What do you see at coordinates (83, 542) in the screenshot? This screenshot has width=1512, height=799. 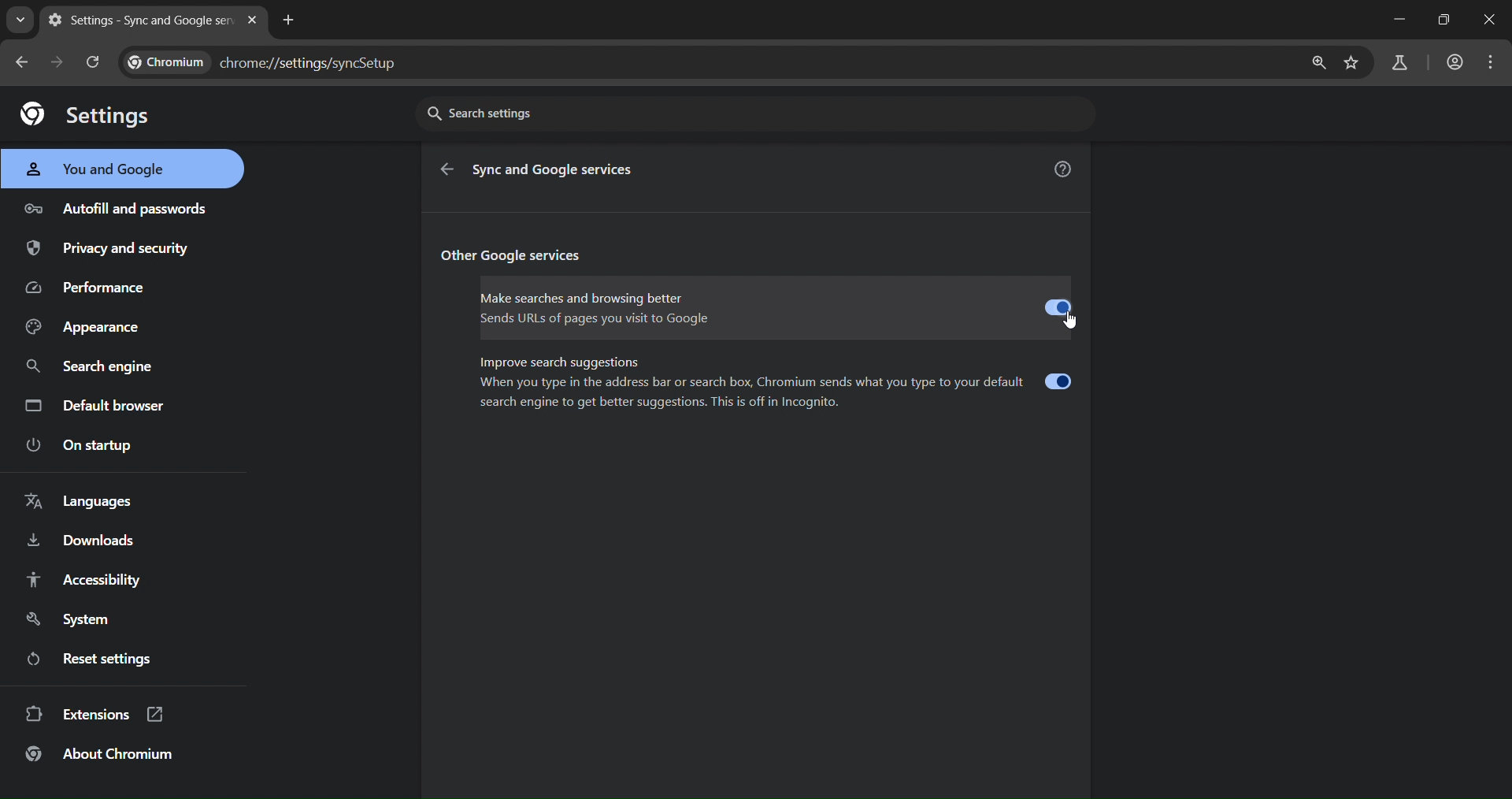 I see `downloads` at bounding box center [83, 542].